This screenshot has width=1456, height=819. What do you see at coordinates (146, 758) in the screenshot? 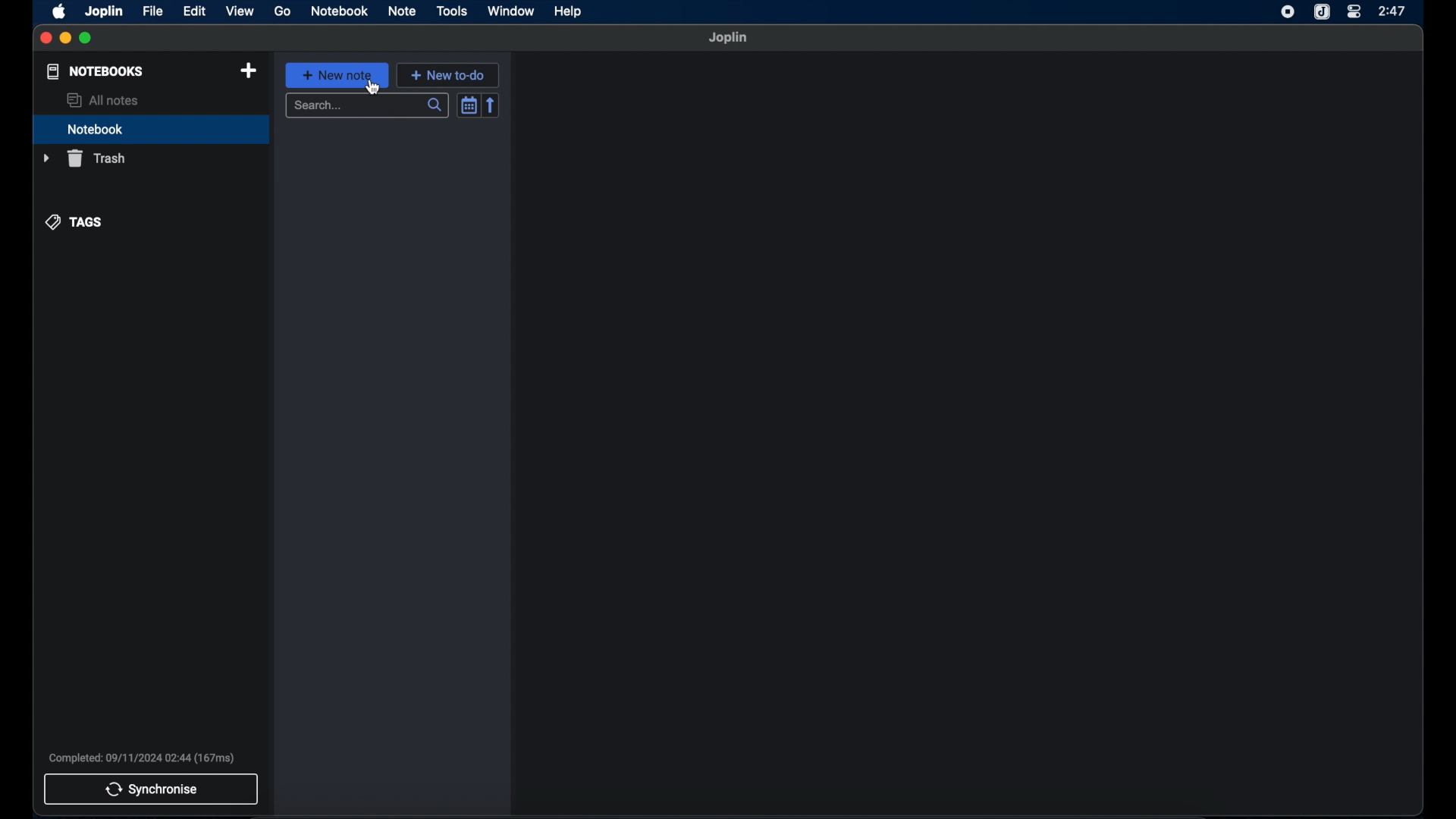
I see `Completed: 09/11/2024 02:44 (167ms)` at bounding box center [146, 758].